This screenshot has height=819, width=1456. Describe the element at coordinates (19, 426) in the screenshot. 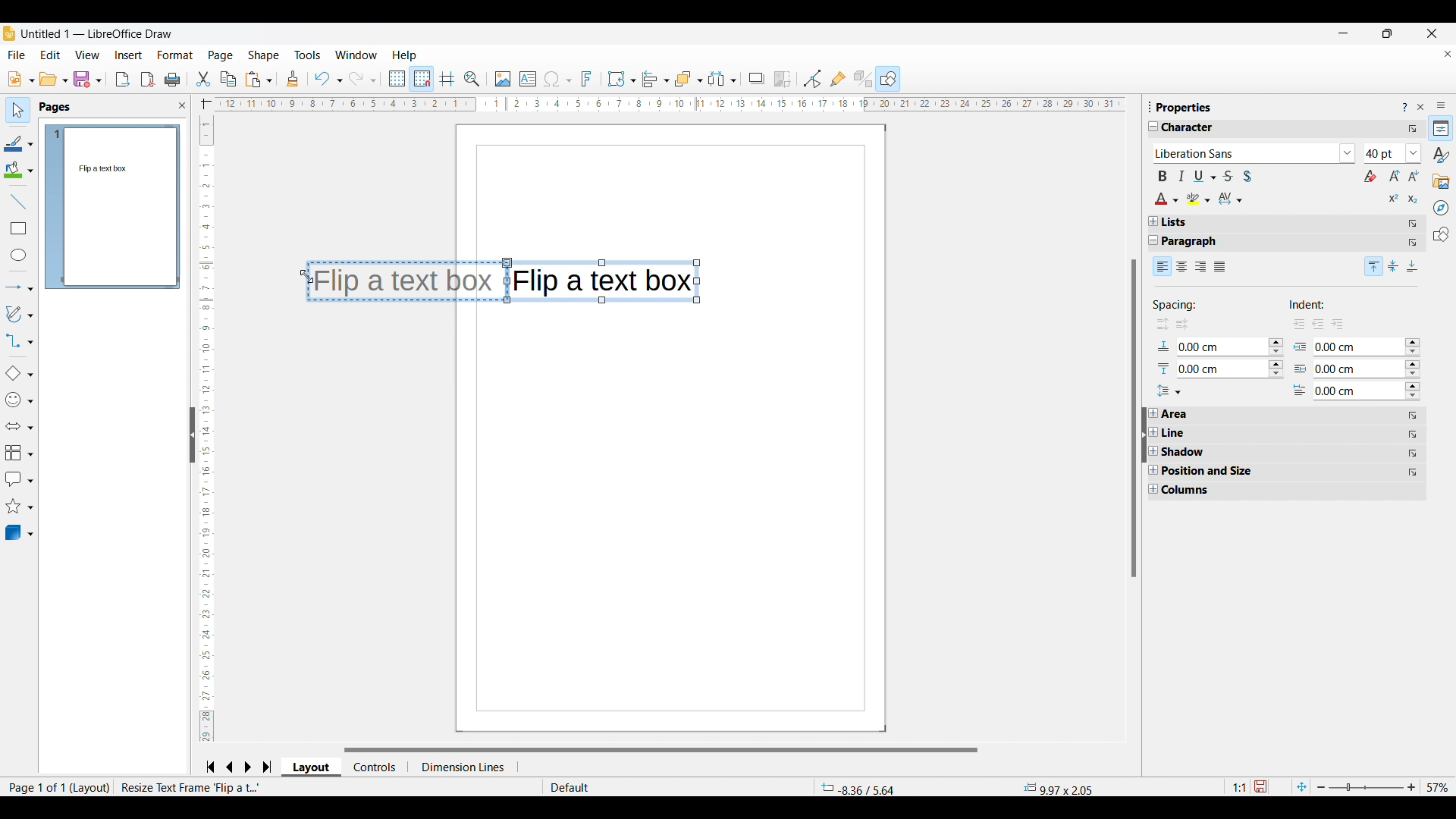

I see `Block arrow options` at that location.